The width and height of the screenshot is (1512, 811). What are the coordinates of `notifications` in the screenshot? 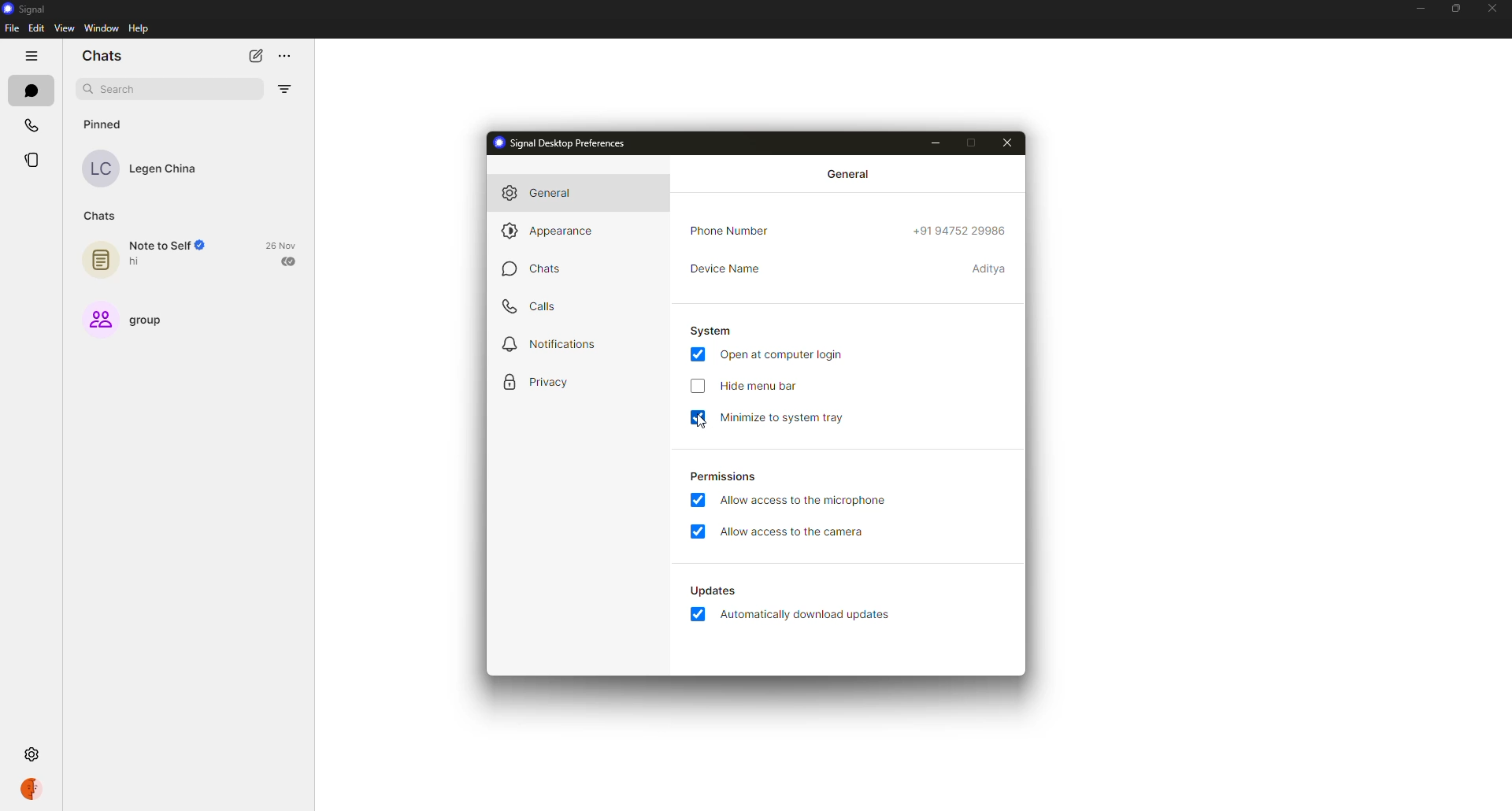 It's located at (546, 343).